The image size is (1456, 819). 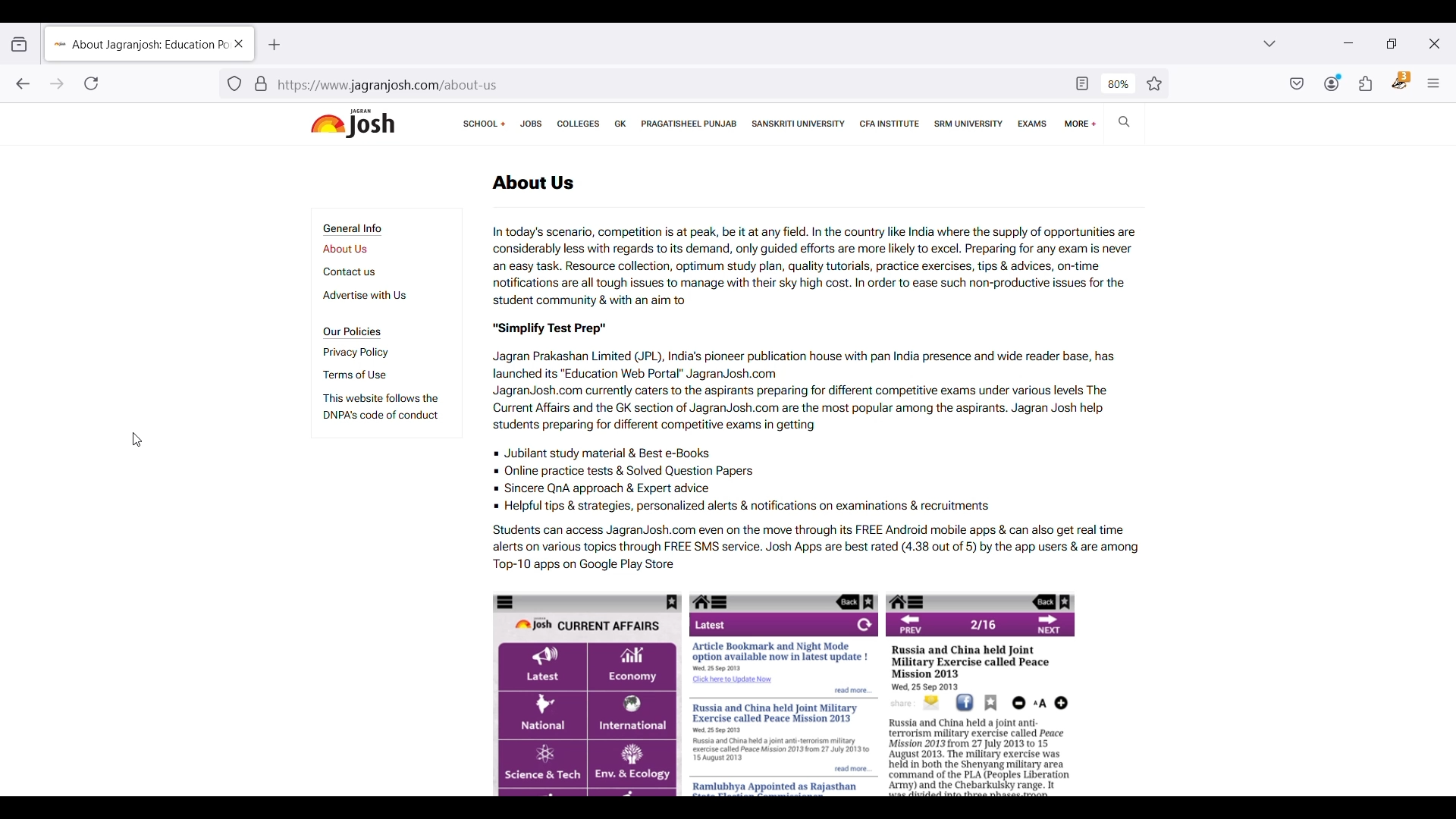 What do you see at coordinates (969, 123) in the screenshot?
I see `SRM university page` at bounding box center [969, 123].